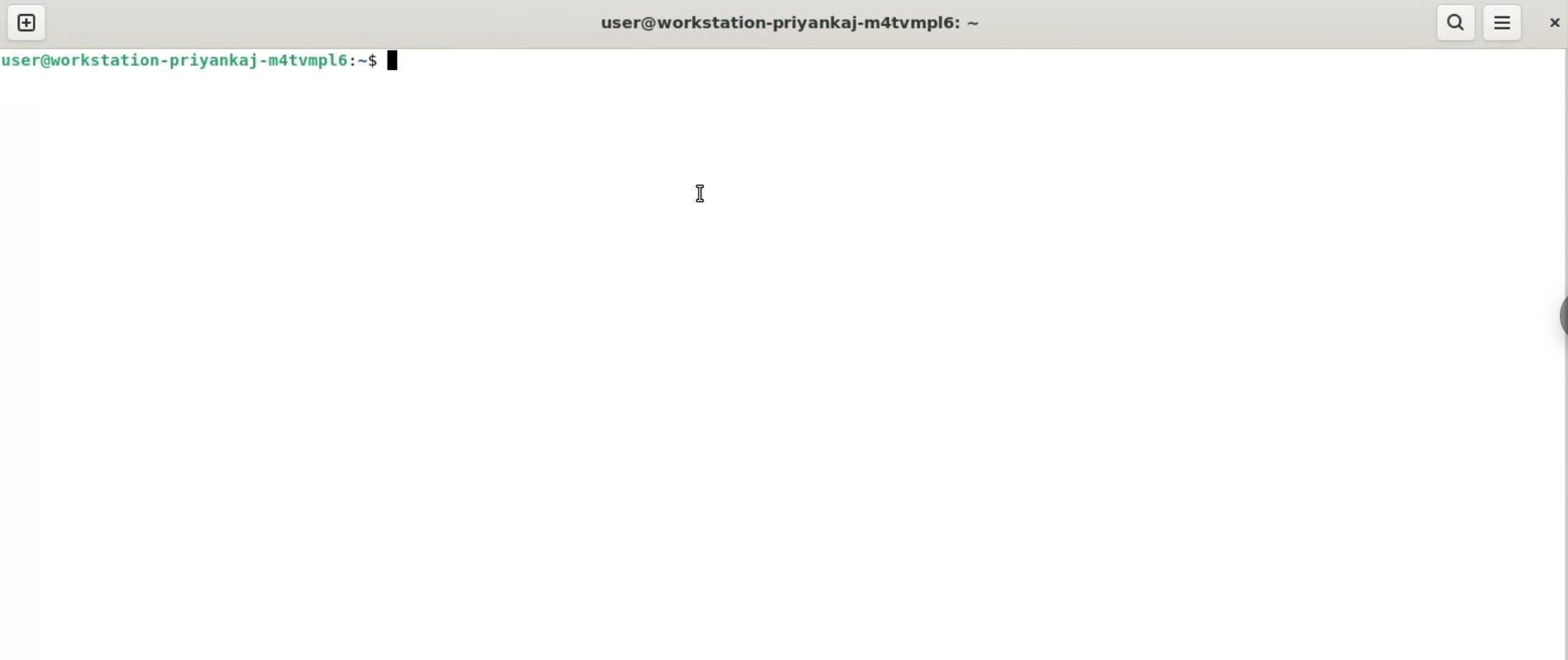  What do you see at coordinates (694, 194) in the screenshot?
I see `cursor` at bounding box center [694, 194].